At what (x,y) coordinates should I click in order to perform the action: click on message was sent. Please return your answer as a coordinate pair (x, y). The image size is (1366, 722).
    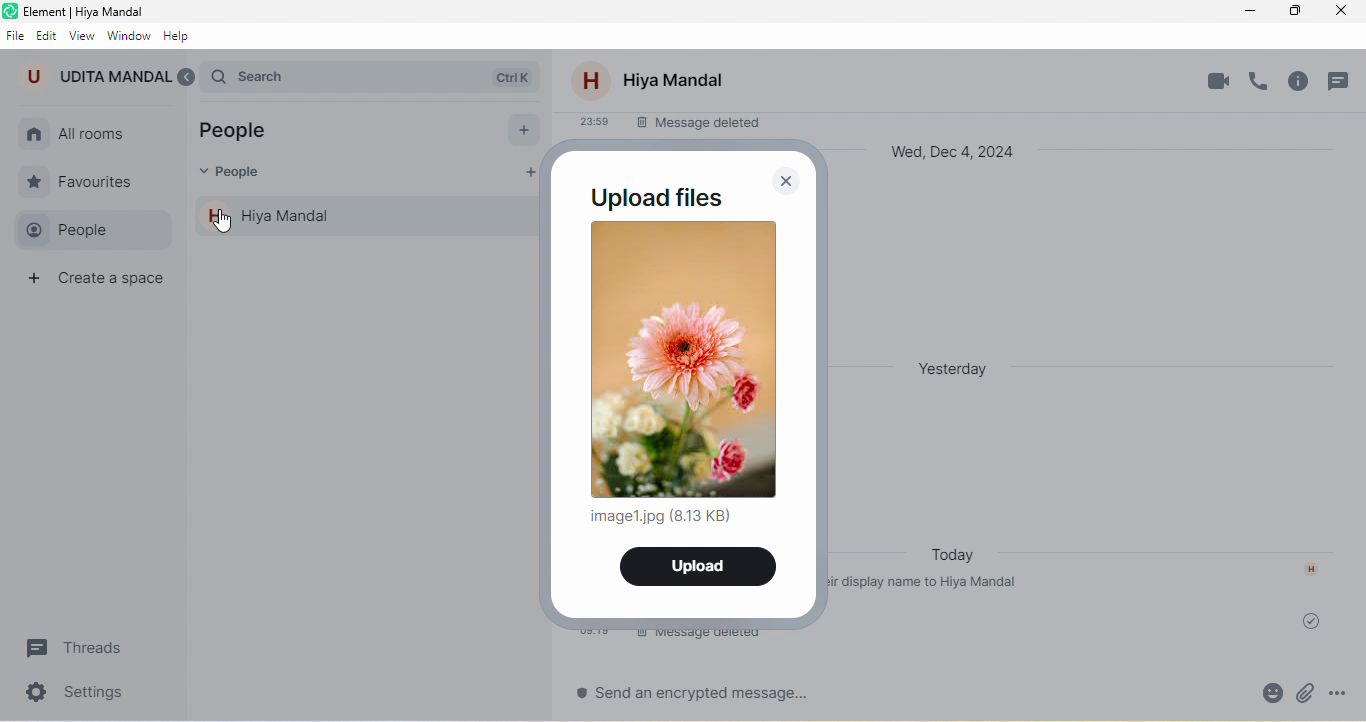
    Looking at the image, I should click on (1314, 622).